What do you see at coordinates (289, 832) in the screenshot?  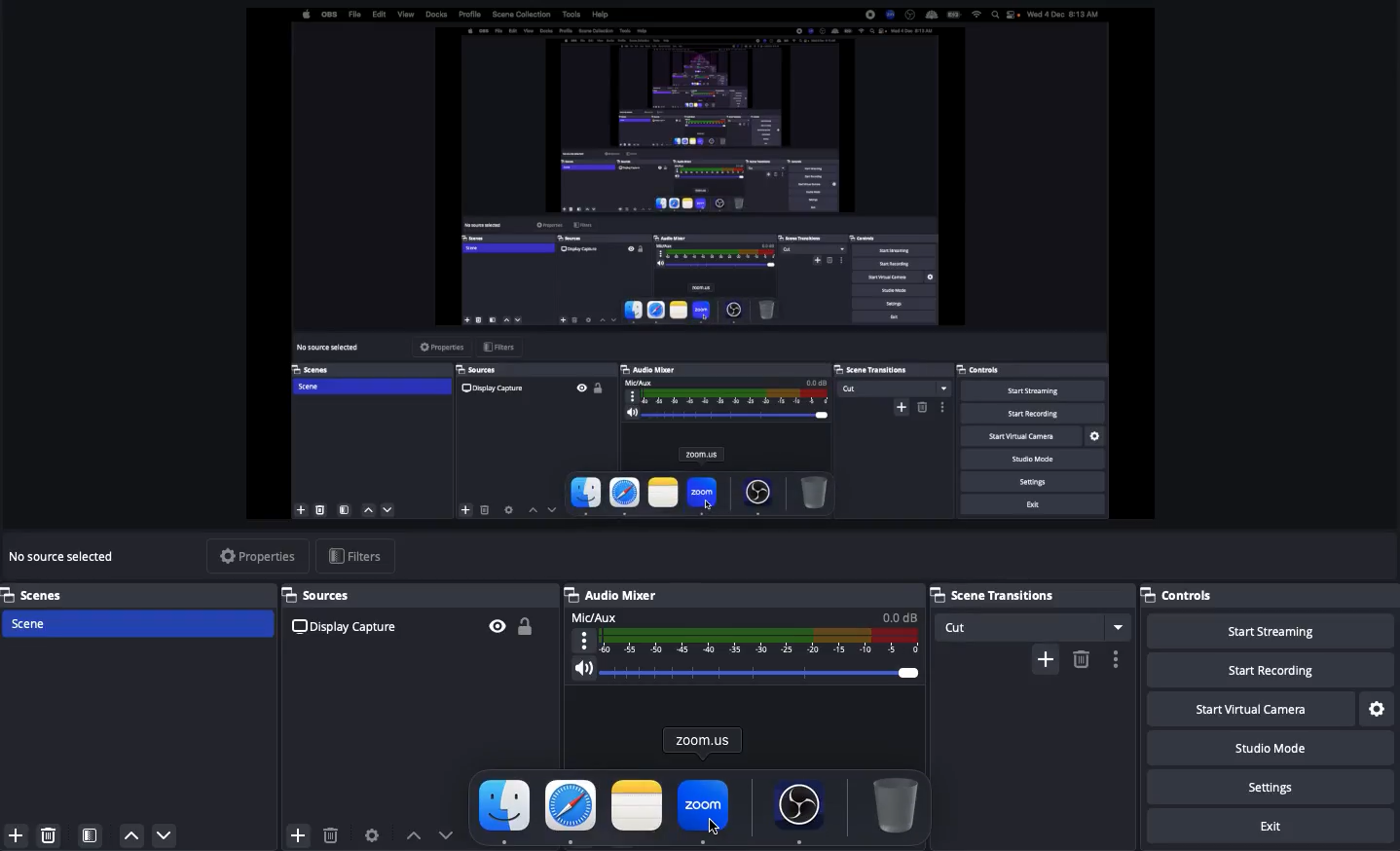 I see `add` at bounding box center [289, 832].